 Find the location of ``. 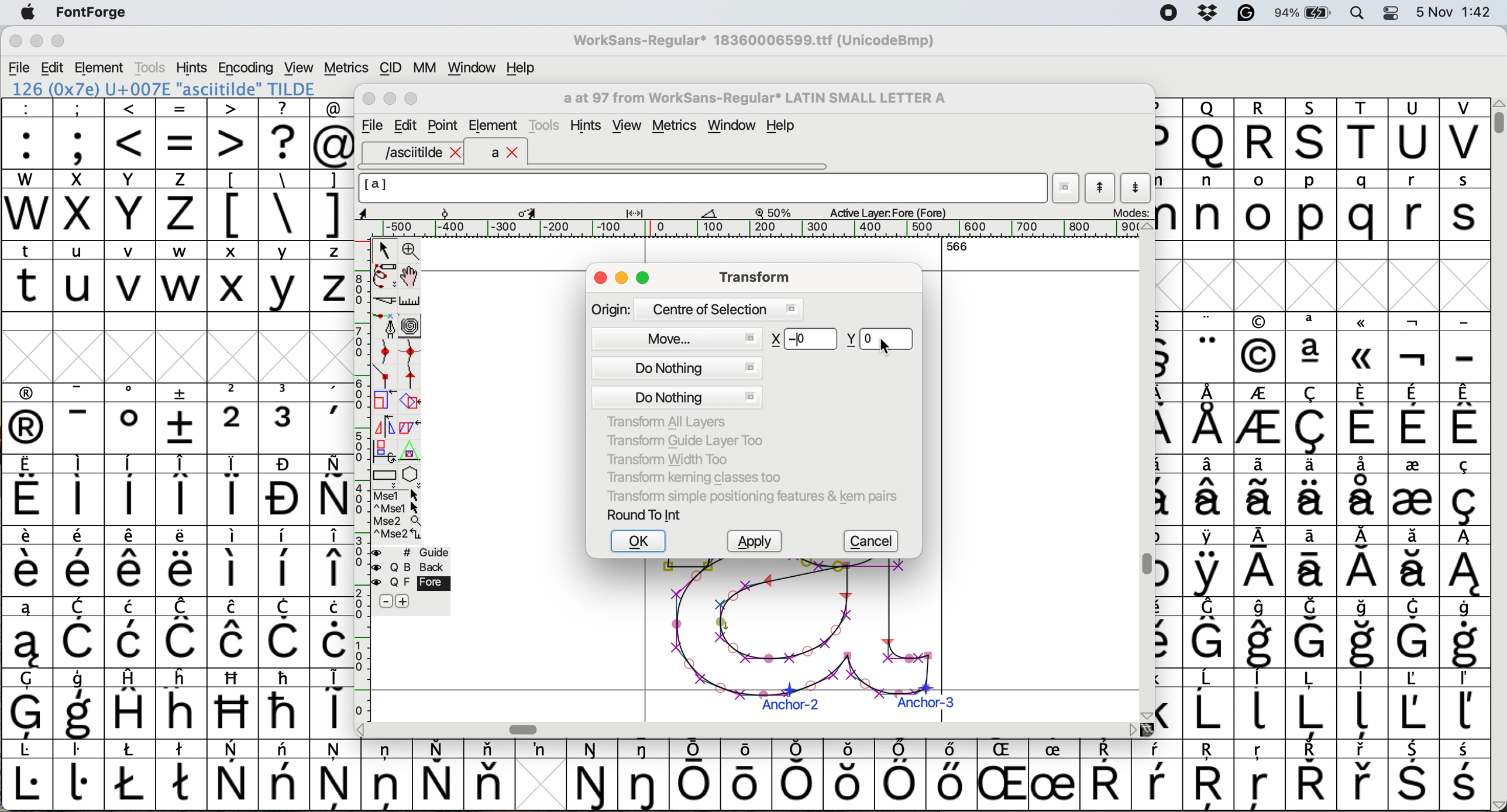

 is located at coordinates (1261, 776).